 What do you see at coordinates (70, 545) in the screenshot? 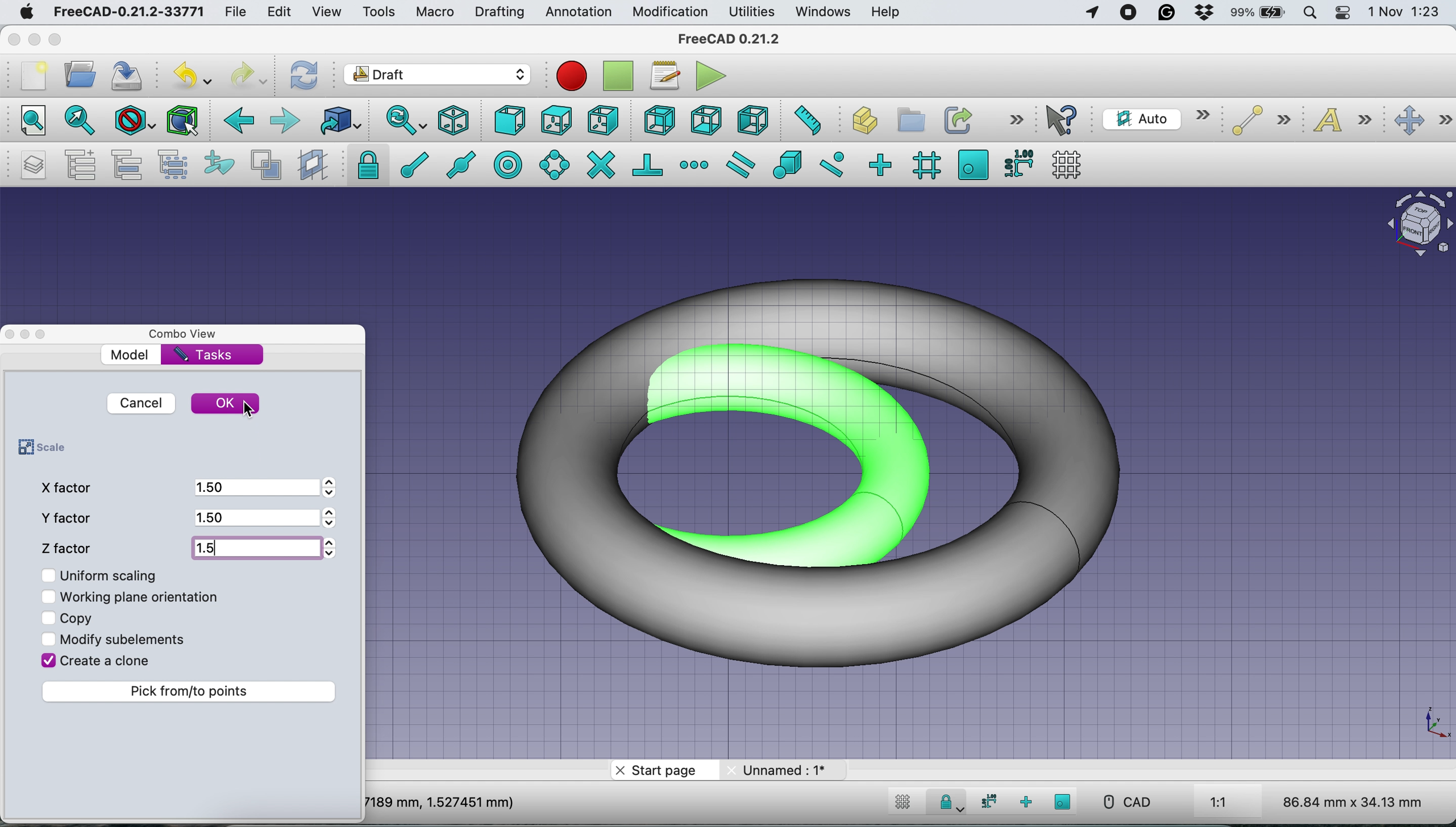
I see `z factor` at bounding box center [70, 545].